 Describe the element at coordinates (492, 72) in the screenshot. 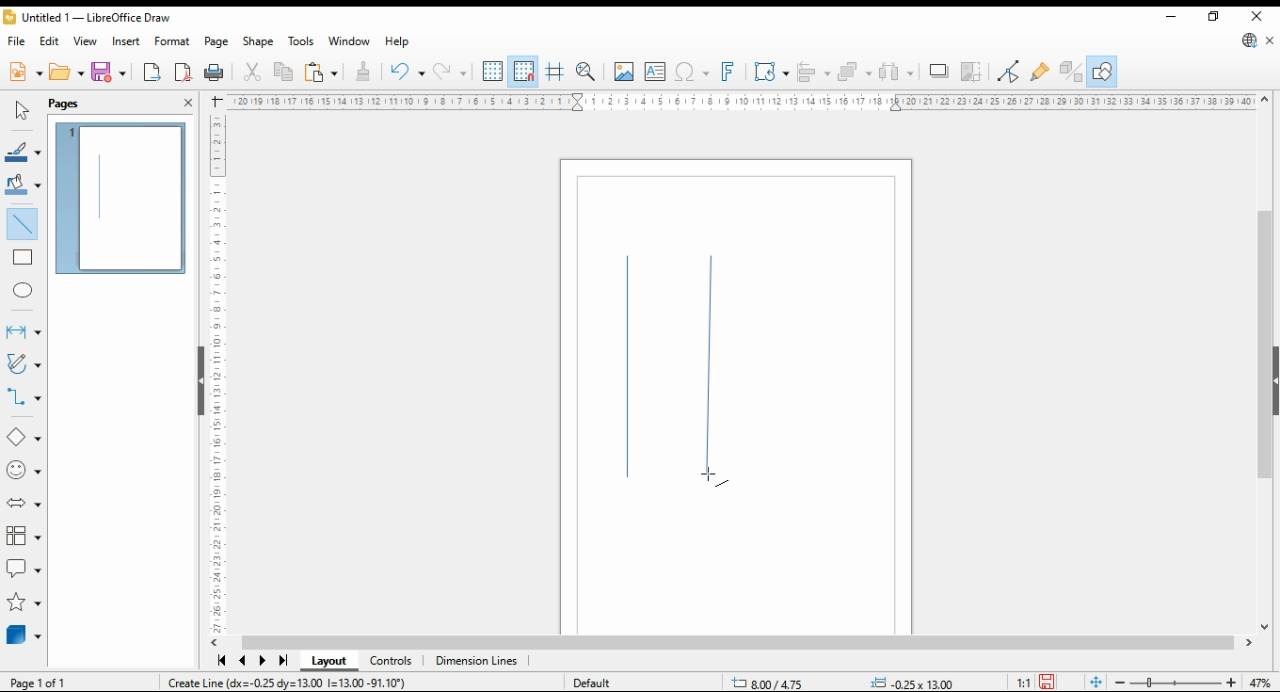

I see `show grids` at that location.